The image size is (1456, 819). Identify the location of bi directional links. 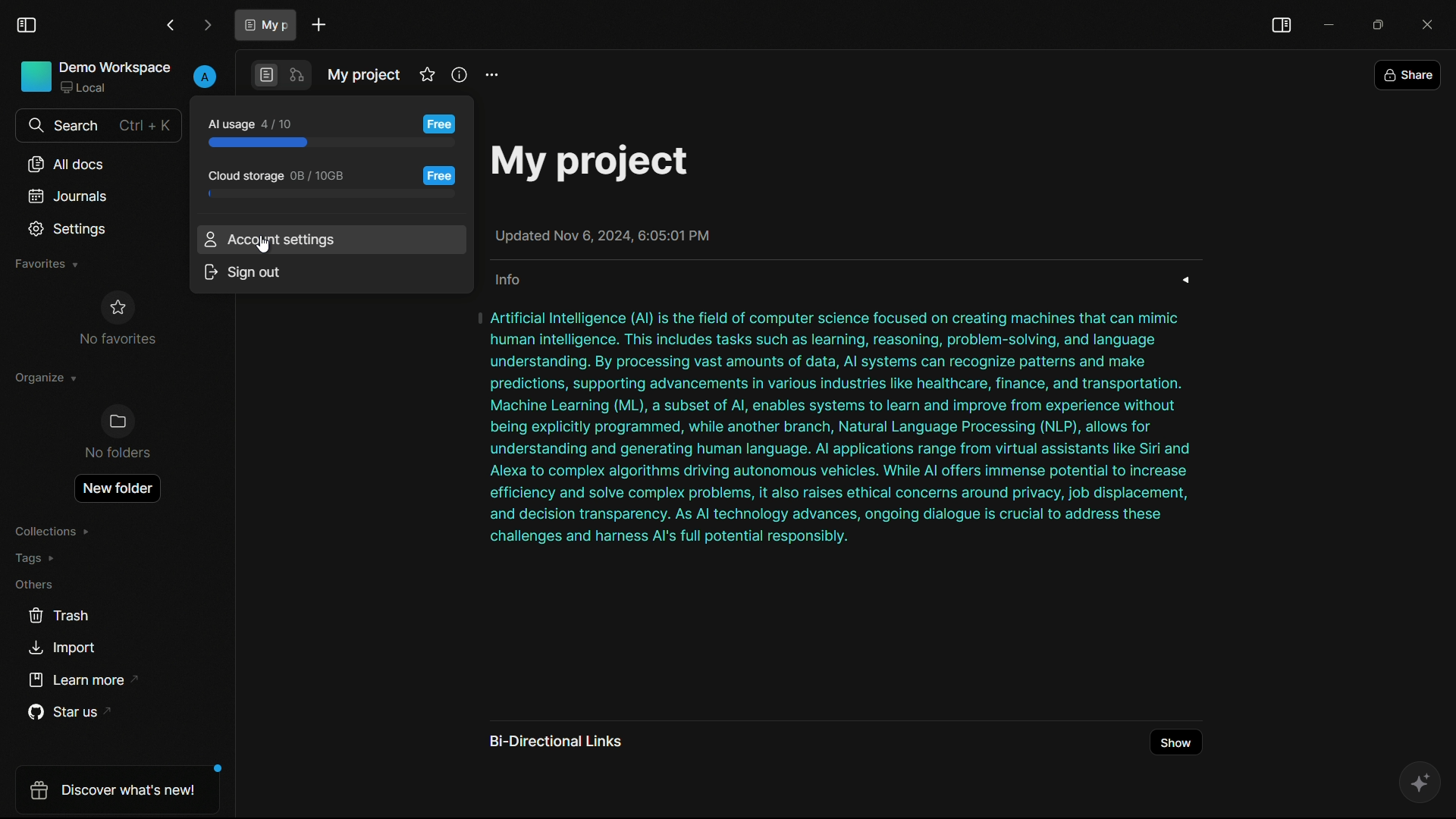
(561, 738).